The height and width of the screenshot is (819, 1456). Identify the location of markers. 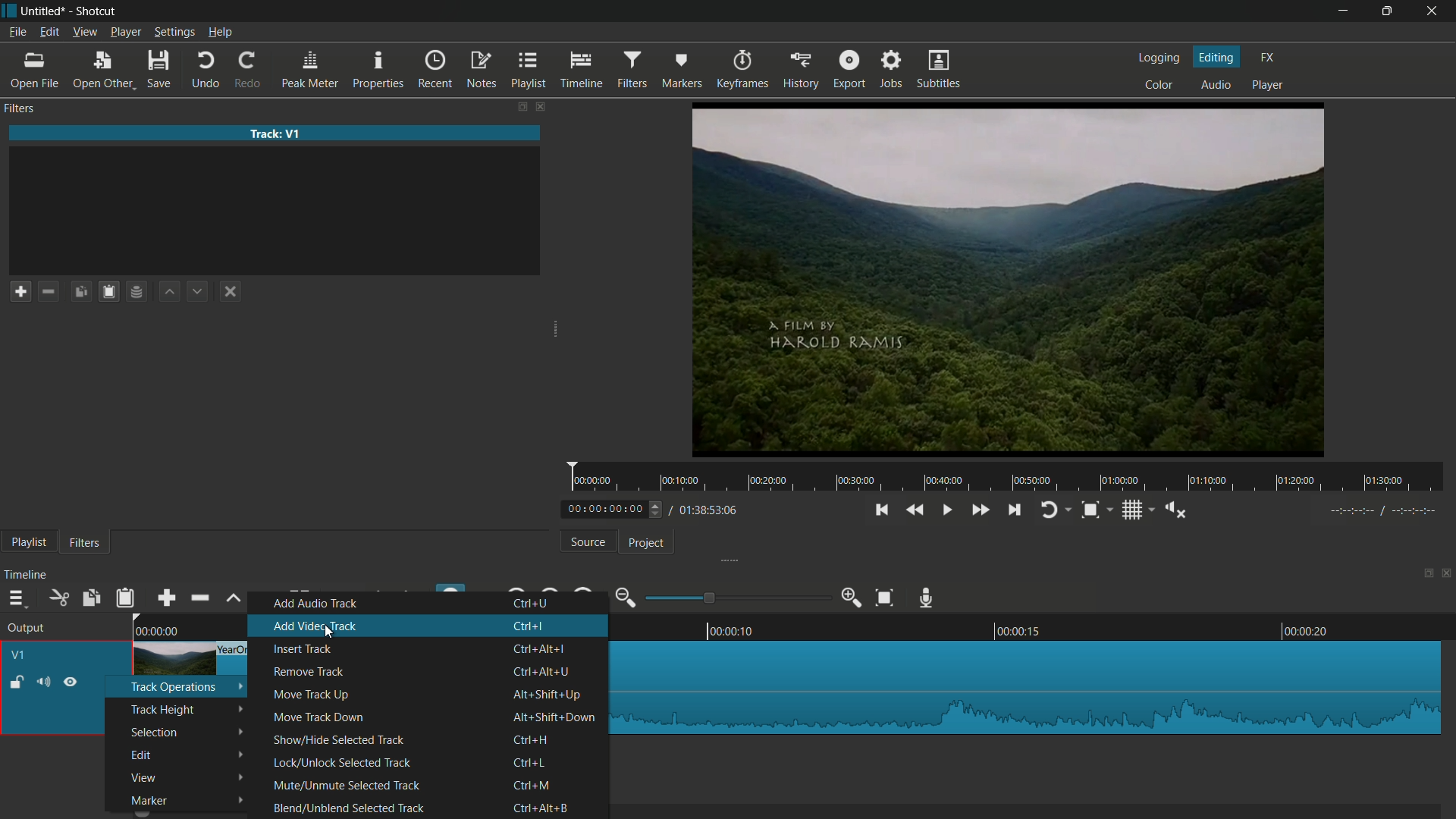
(680, 71).